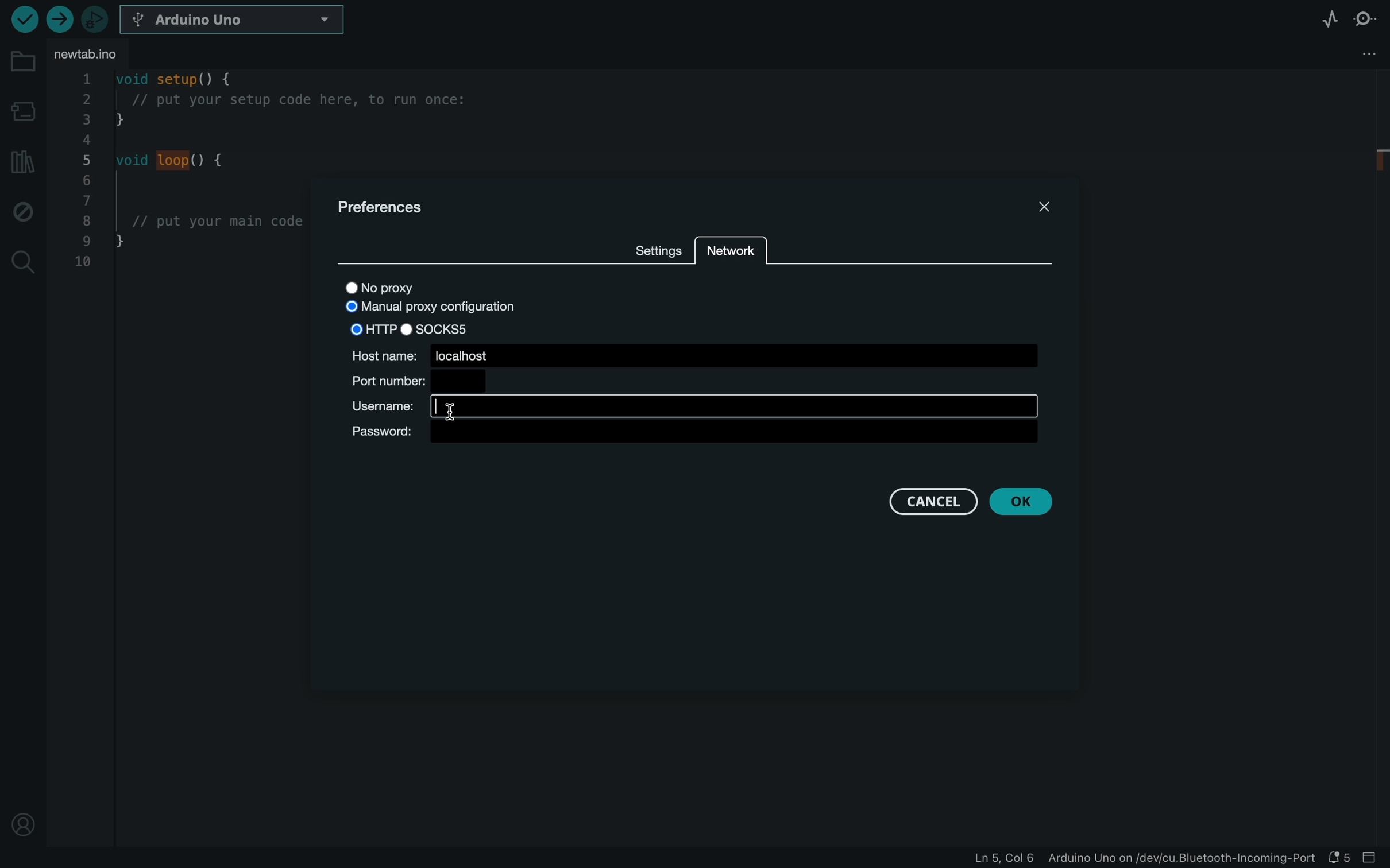  Describe the element at coordinates (94, 19) in the screenshot. I see `debugger` at that location.